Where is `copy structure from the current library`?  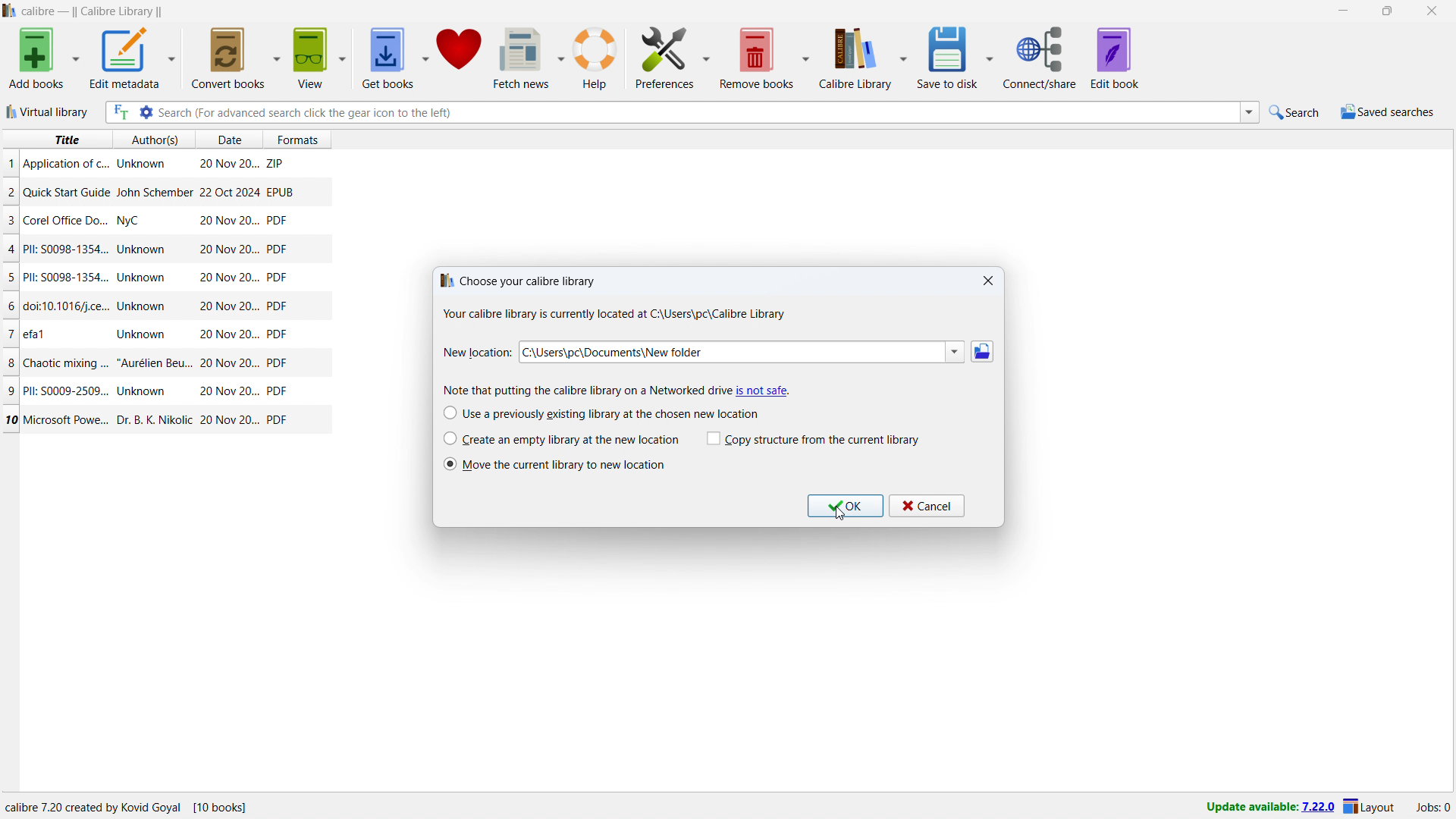 copy structure from the current library is located at coordinates (814, 439).